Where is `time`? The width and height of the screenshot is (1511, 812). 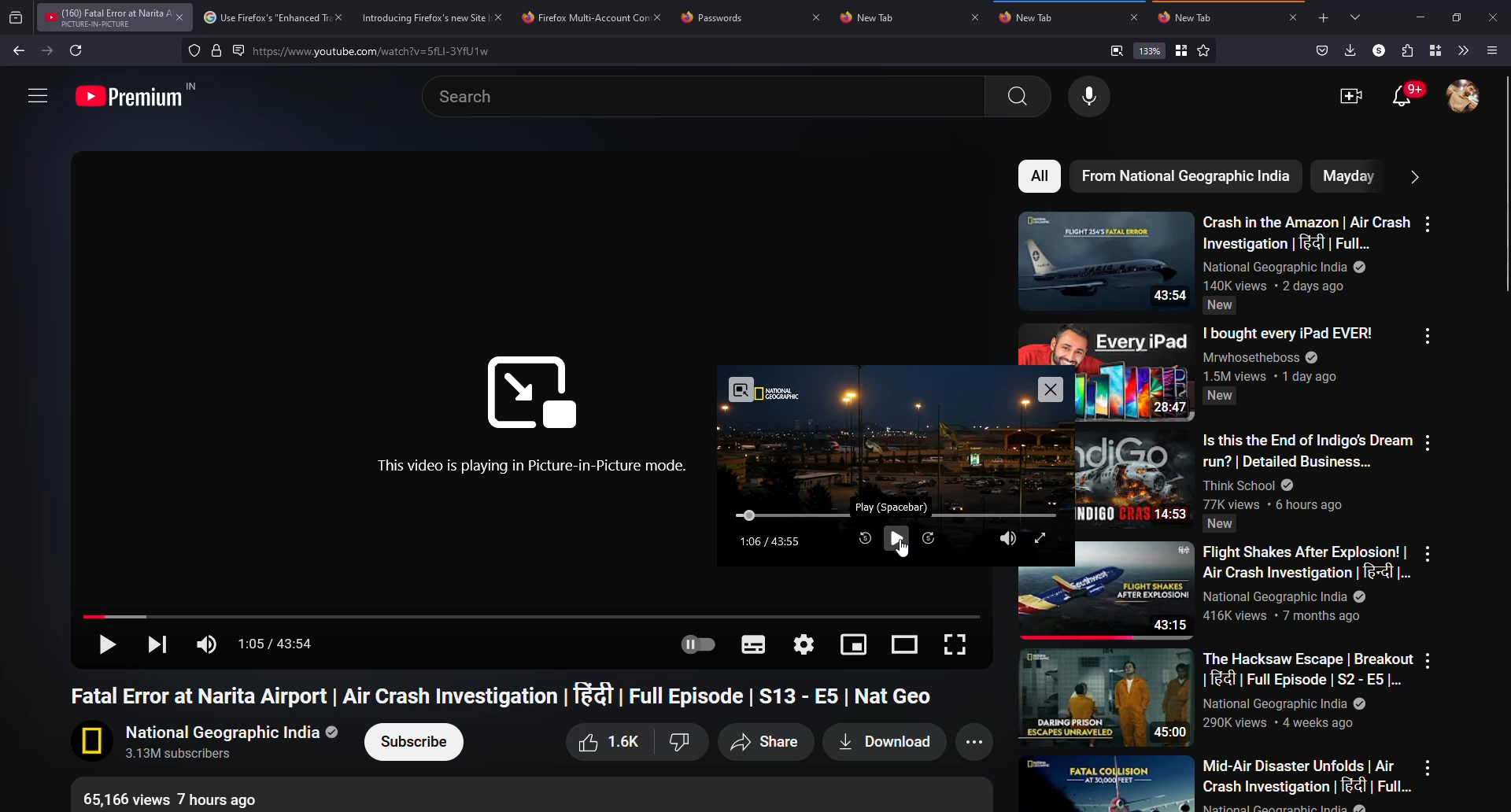
time is located at coordinates (281, 645).